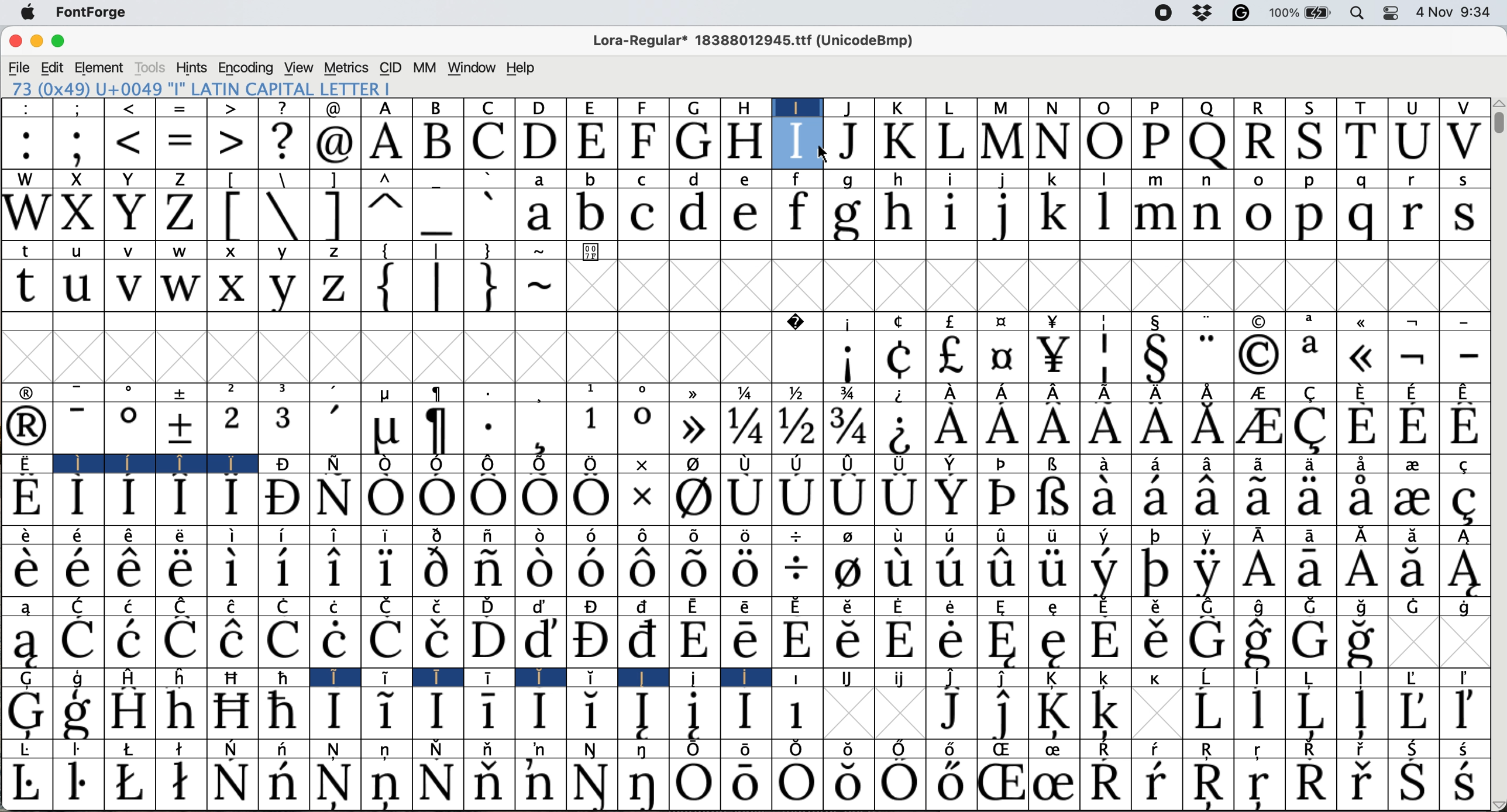  I want to click on j, so click(850, 108).